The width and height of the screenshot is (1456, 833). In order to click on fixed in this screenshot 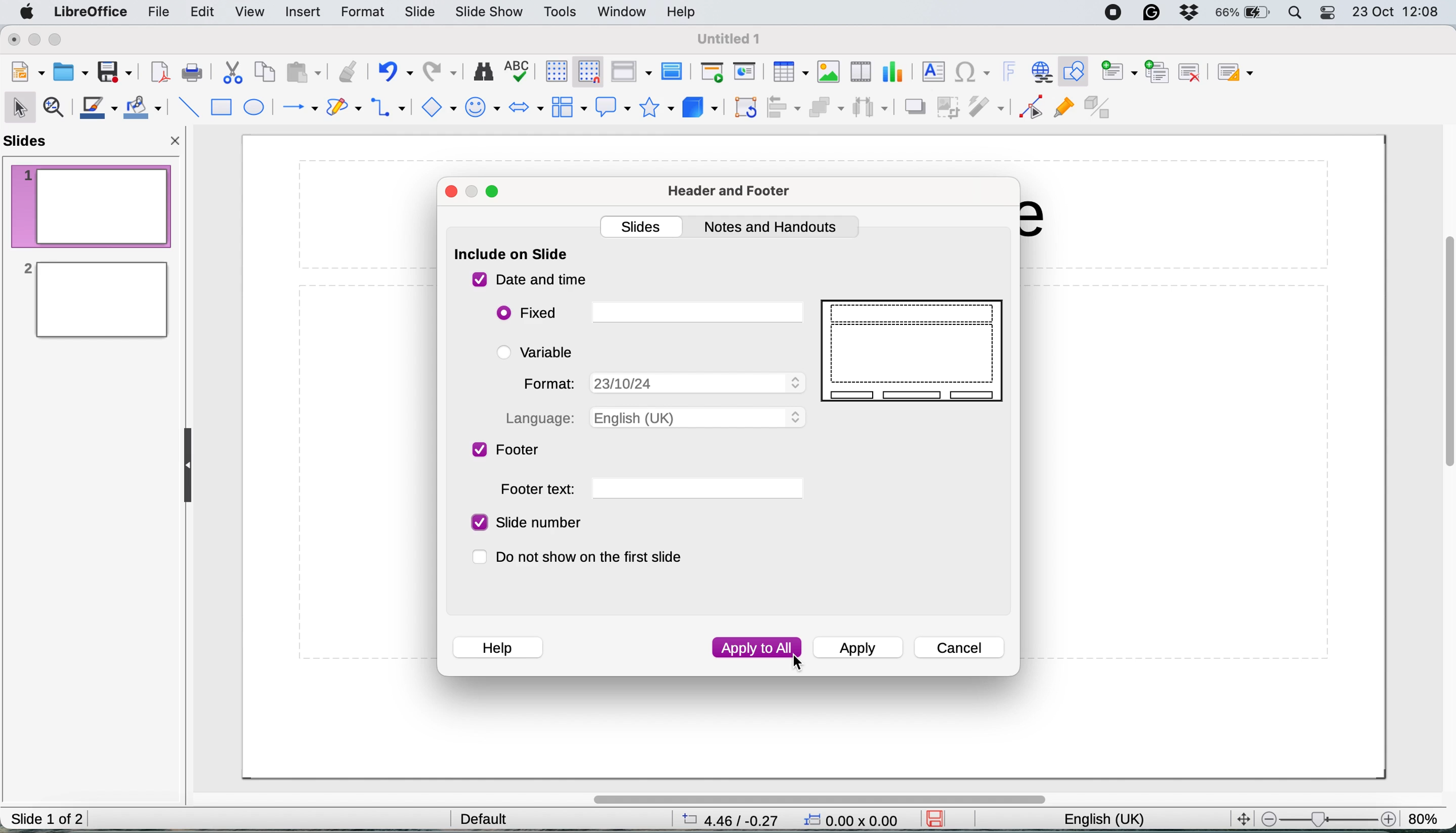, I will do `click(649, 312)`.